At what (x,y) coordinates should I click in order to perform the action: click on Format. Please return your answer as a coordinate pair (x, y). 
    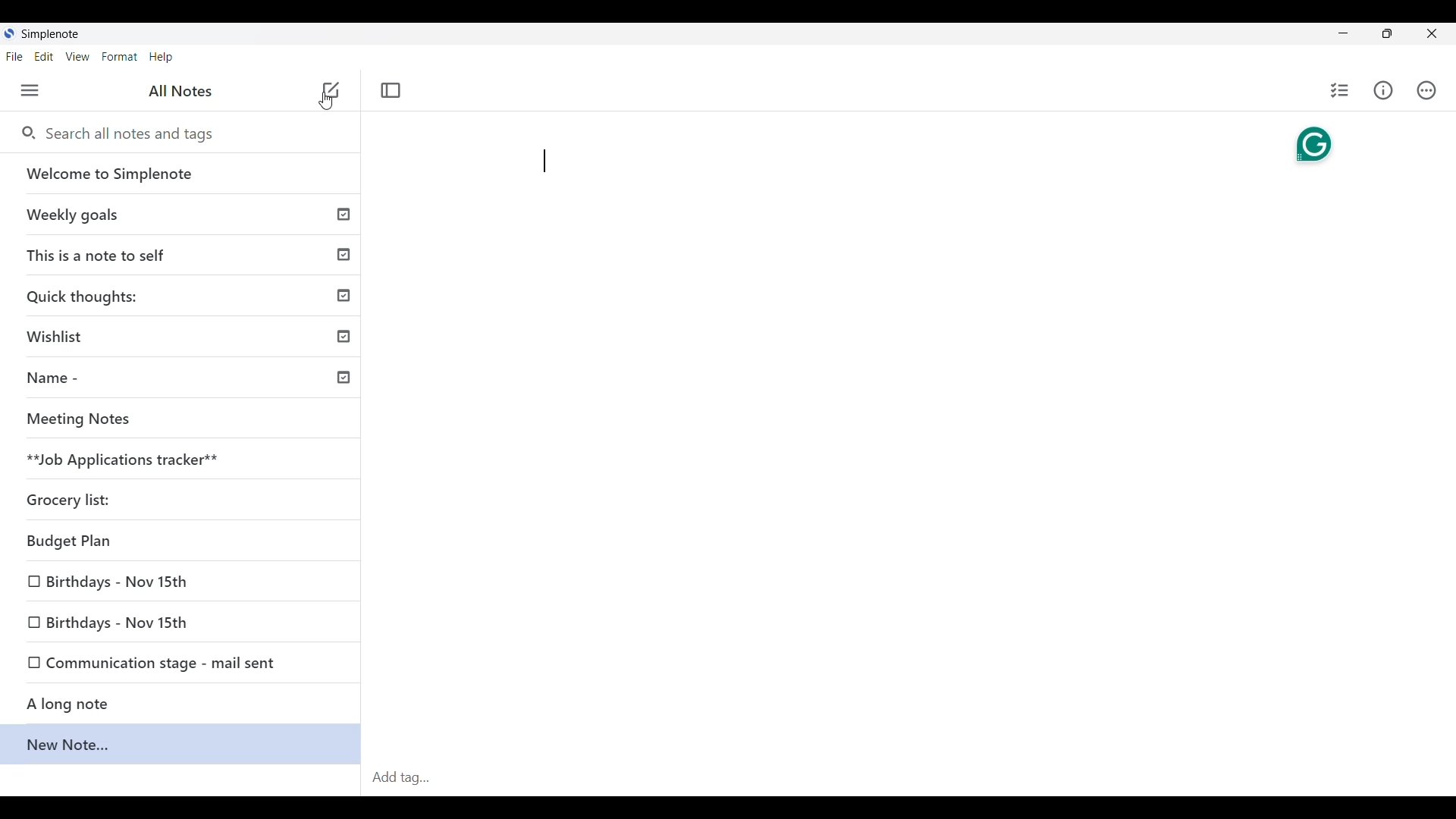
    Looking at the image, I should click on (120, 57).